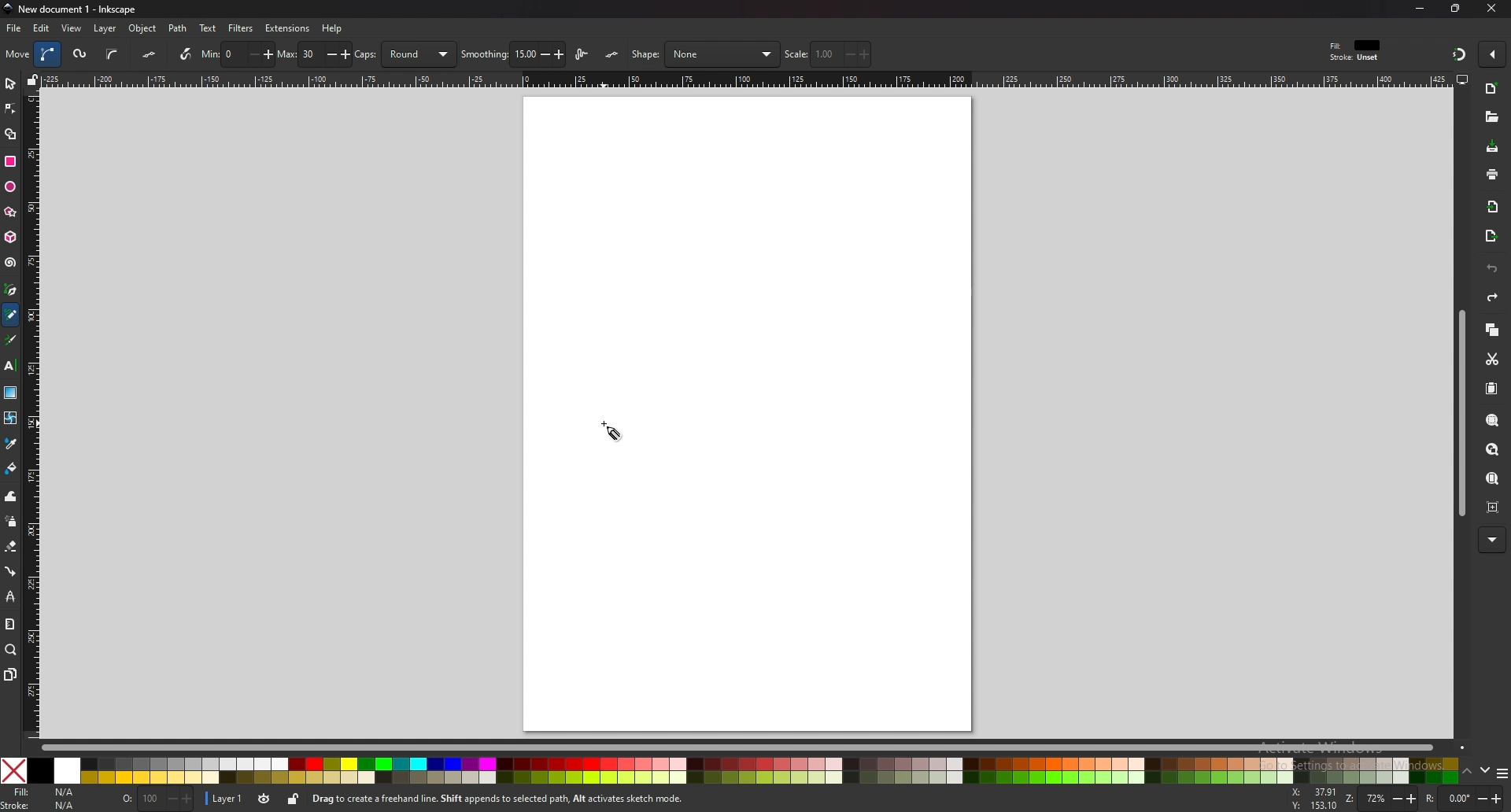 The image size is (1511, 812). Describe the element at coordinates (1382, 798) in the screenshot. I see `zoom` at that location.